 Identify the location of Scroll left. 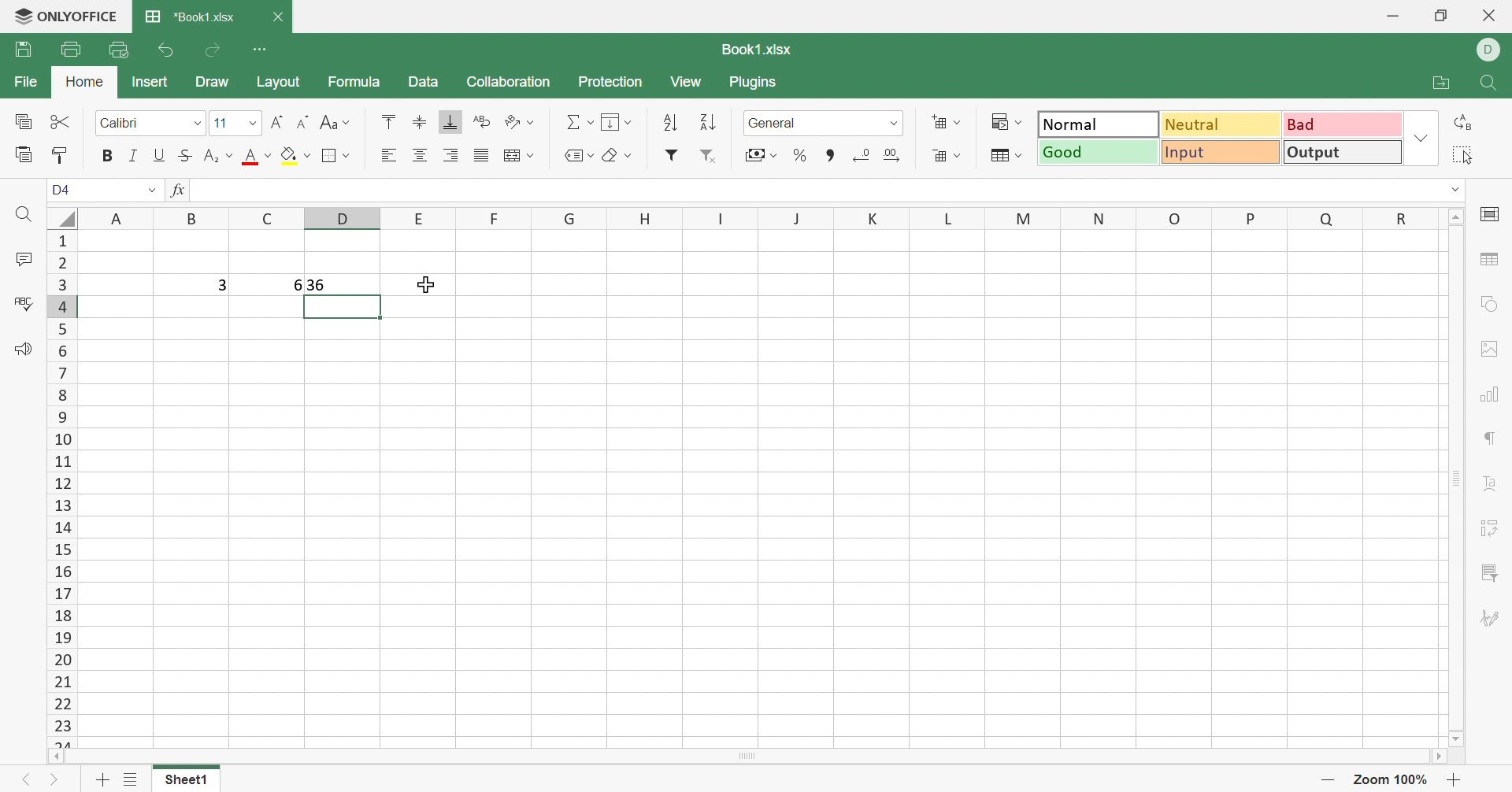
(54, 760).